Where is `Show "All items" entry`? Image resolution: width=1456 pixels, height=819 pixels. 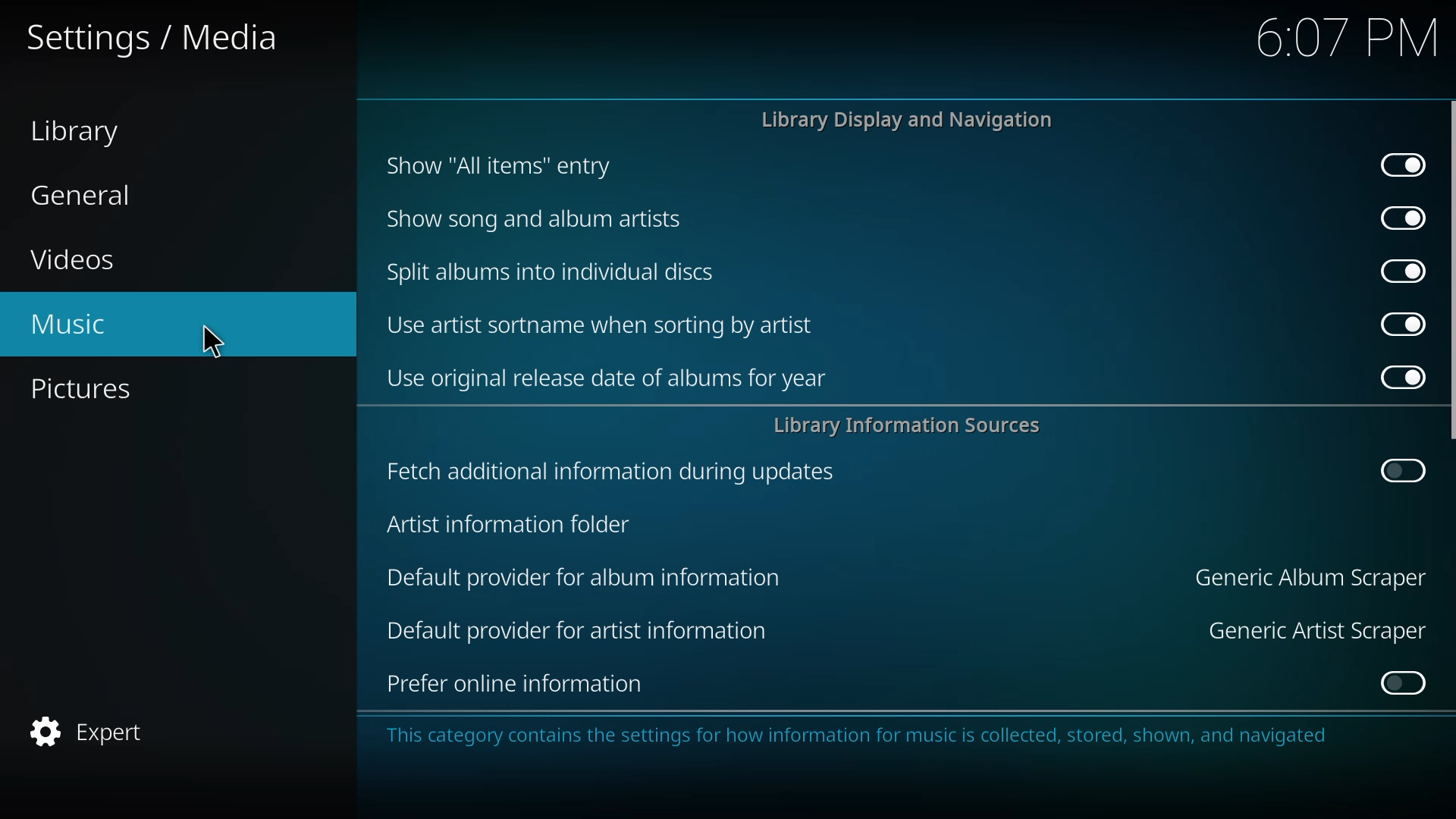 Show "All items" entry is located at coordinates (497, 168).